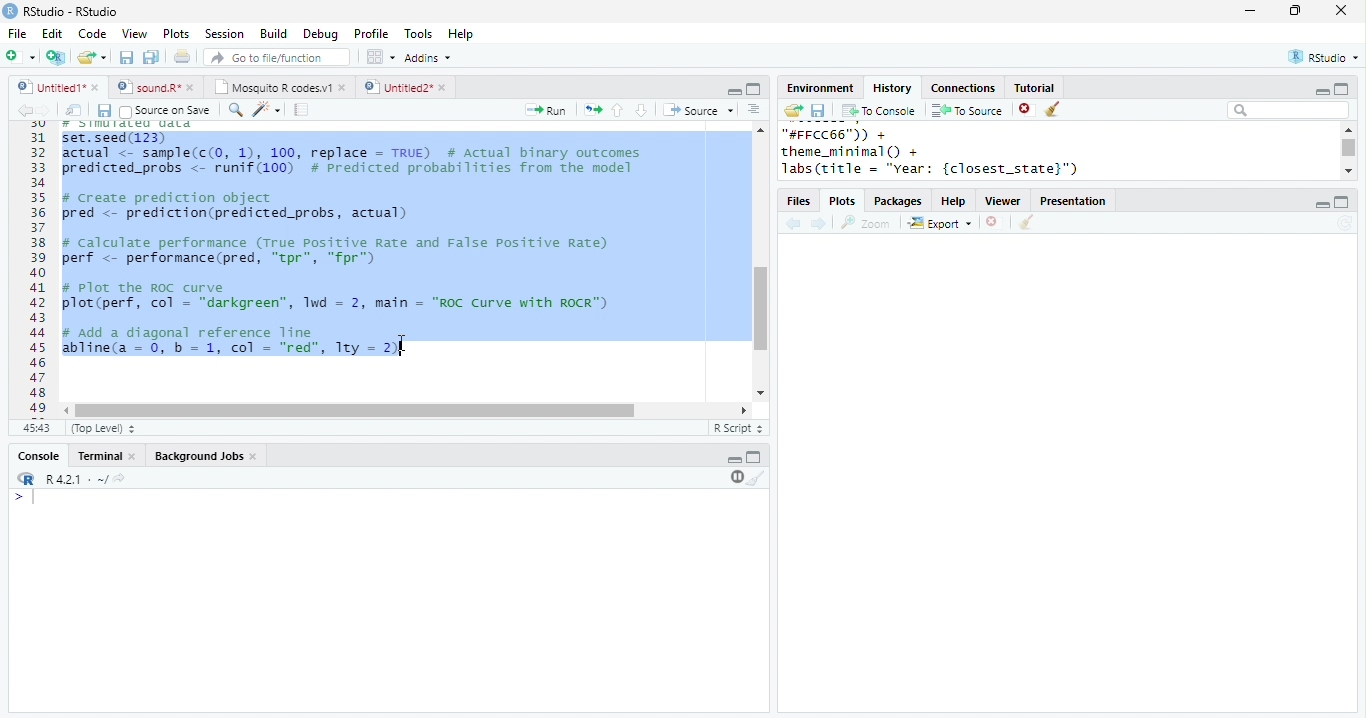  What do you see at coordinates (792, 110) in the screenshot?
I see `open folder` at bounding box center [792, 110].